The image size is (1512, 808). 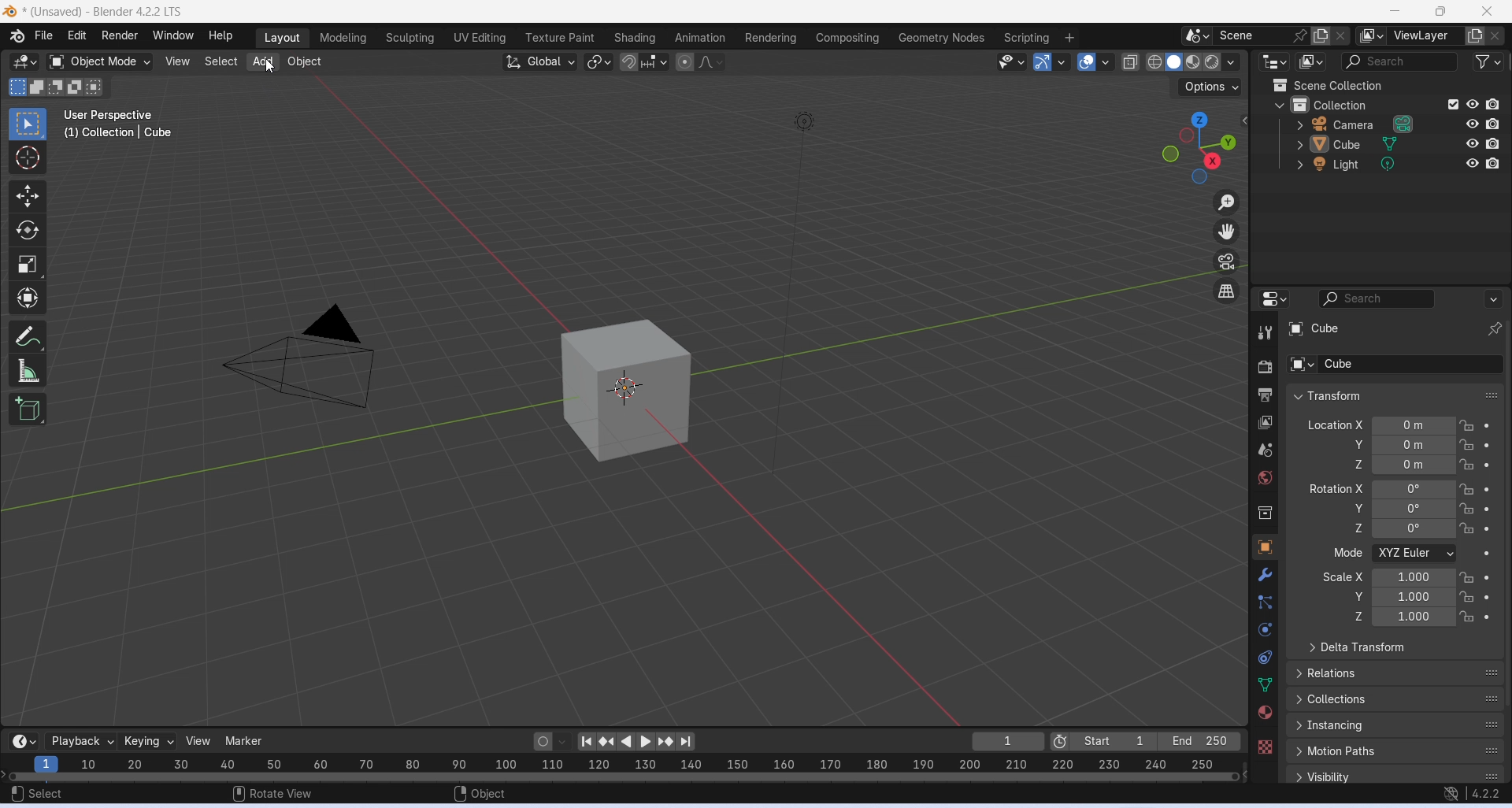 What do you see at coordinates (10, 13) in the screenshot?
I see `Logo` at bounding box center [10, 13].